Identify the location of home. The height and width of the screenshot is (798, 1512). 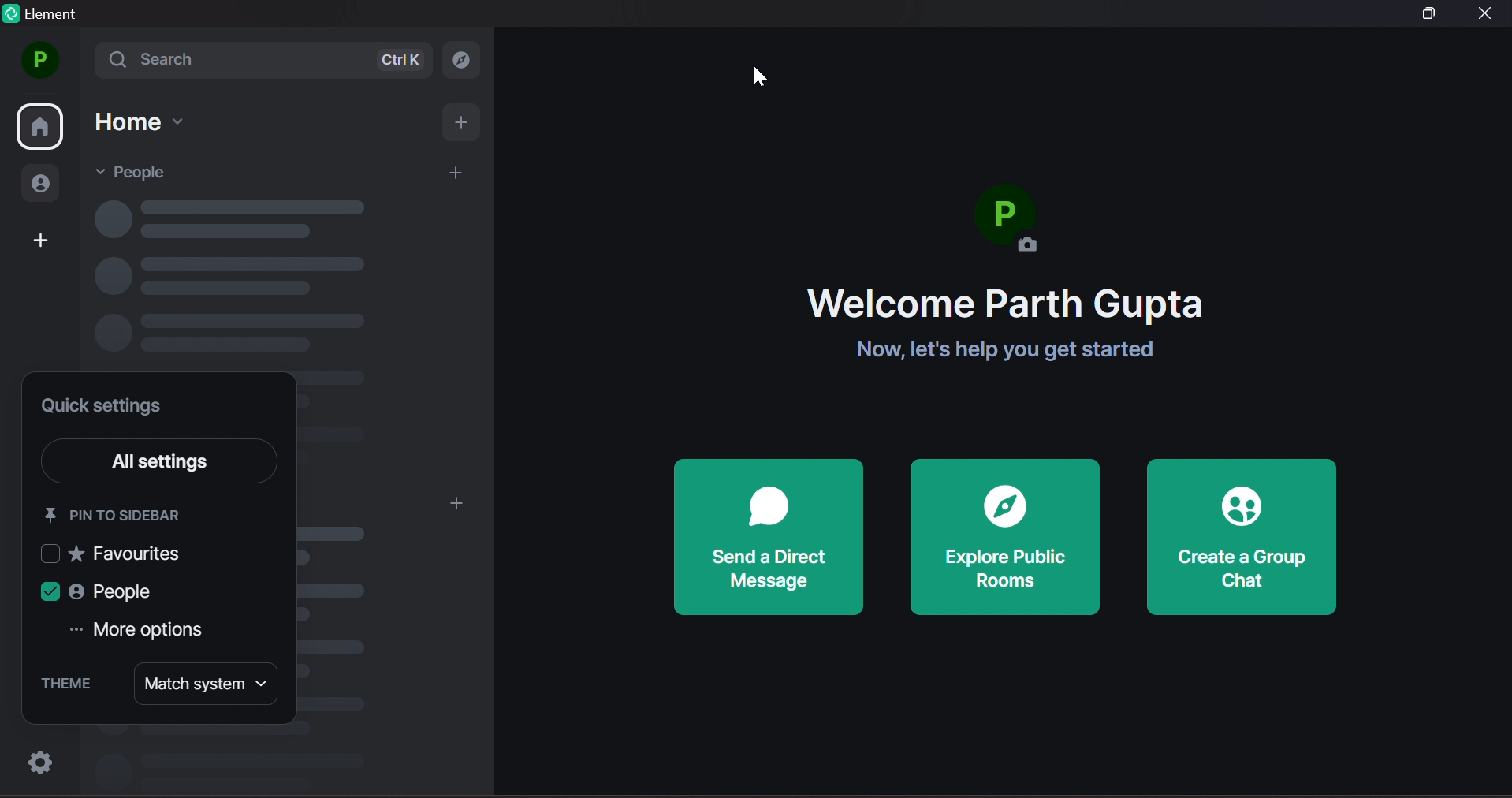
(140, 122).